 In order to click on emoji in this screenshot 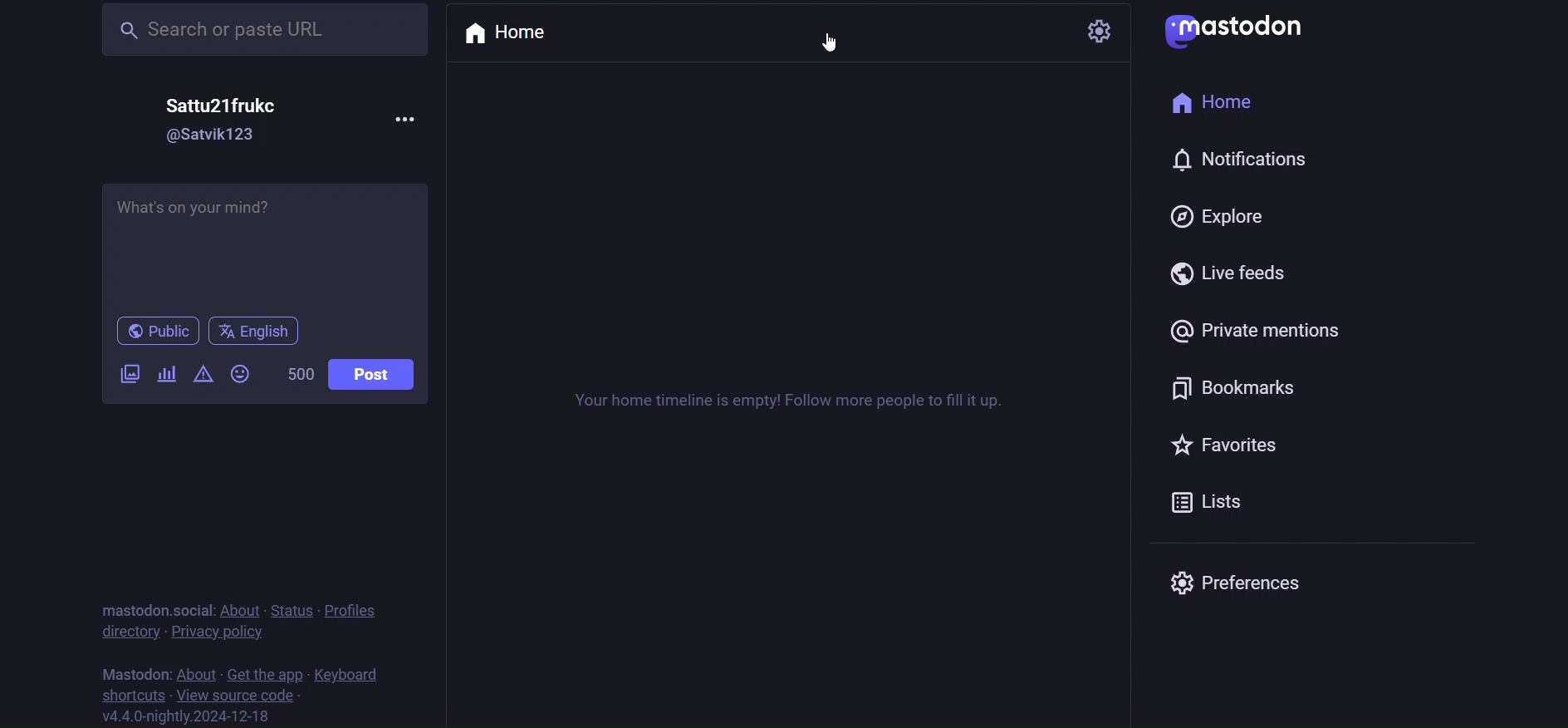, I will do `click(244, 373)`.